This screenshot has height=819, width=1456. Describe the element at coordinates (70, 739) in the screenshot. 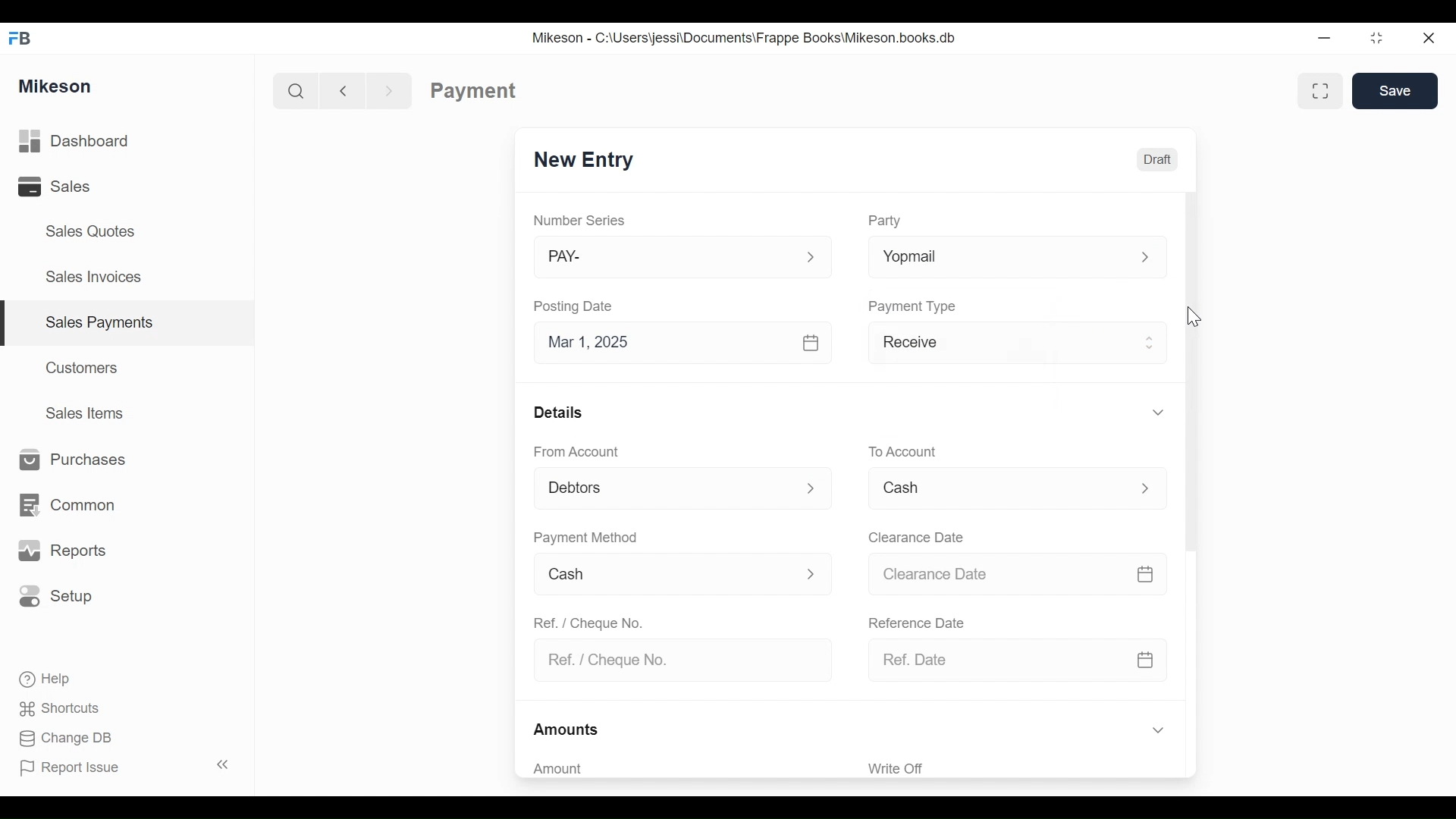

I see `Change DB` at that location.